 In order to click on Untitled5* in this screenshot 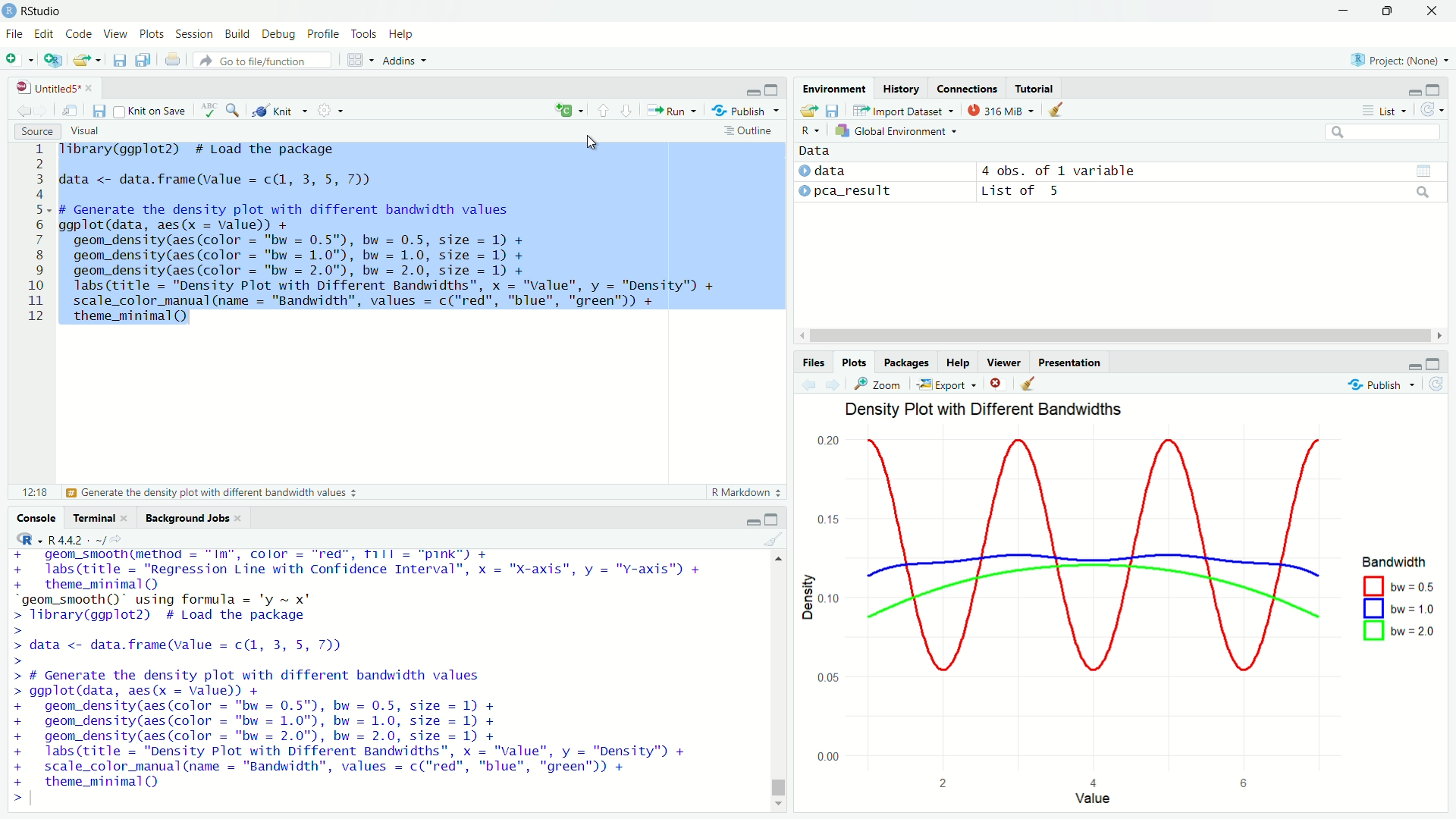, I will do `click(48, 87)`.